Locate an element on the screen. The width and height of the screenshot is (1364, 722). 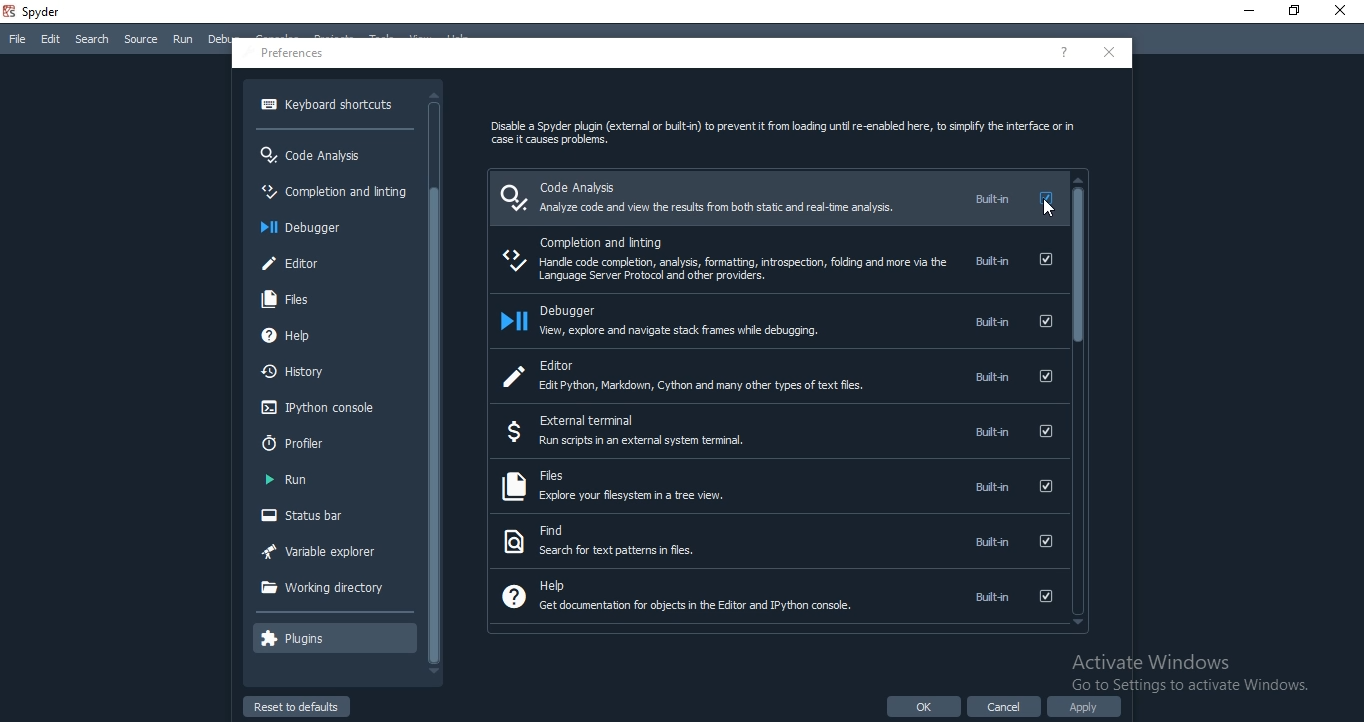
code analysis is located at coordinates (328, 153).